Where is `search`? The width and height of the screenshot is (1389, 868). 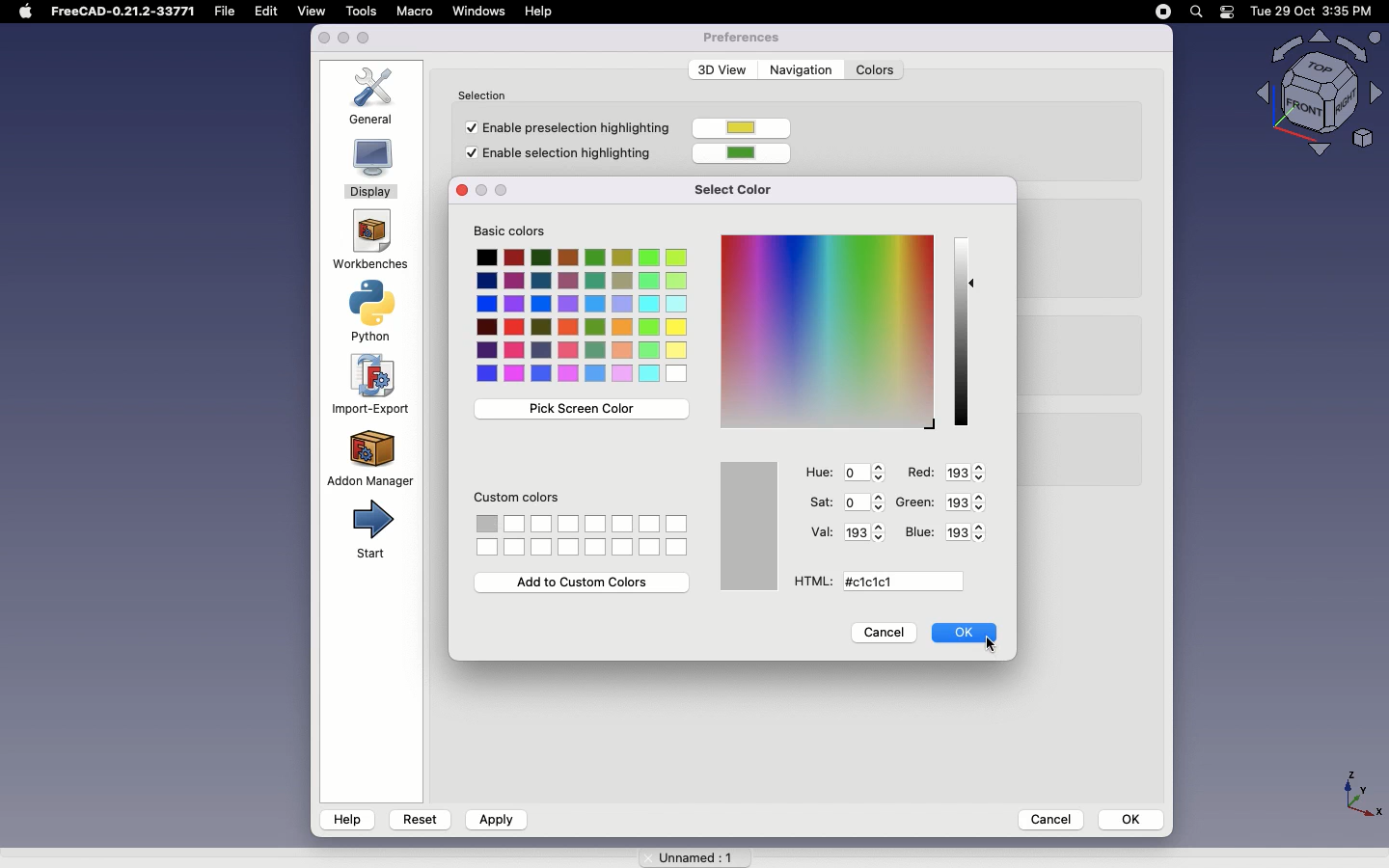 search is located at coordinates (1195, 12).